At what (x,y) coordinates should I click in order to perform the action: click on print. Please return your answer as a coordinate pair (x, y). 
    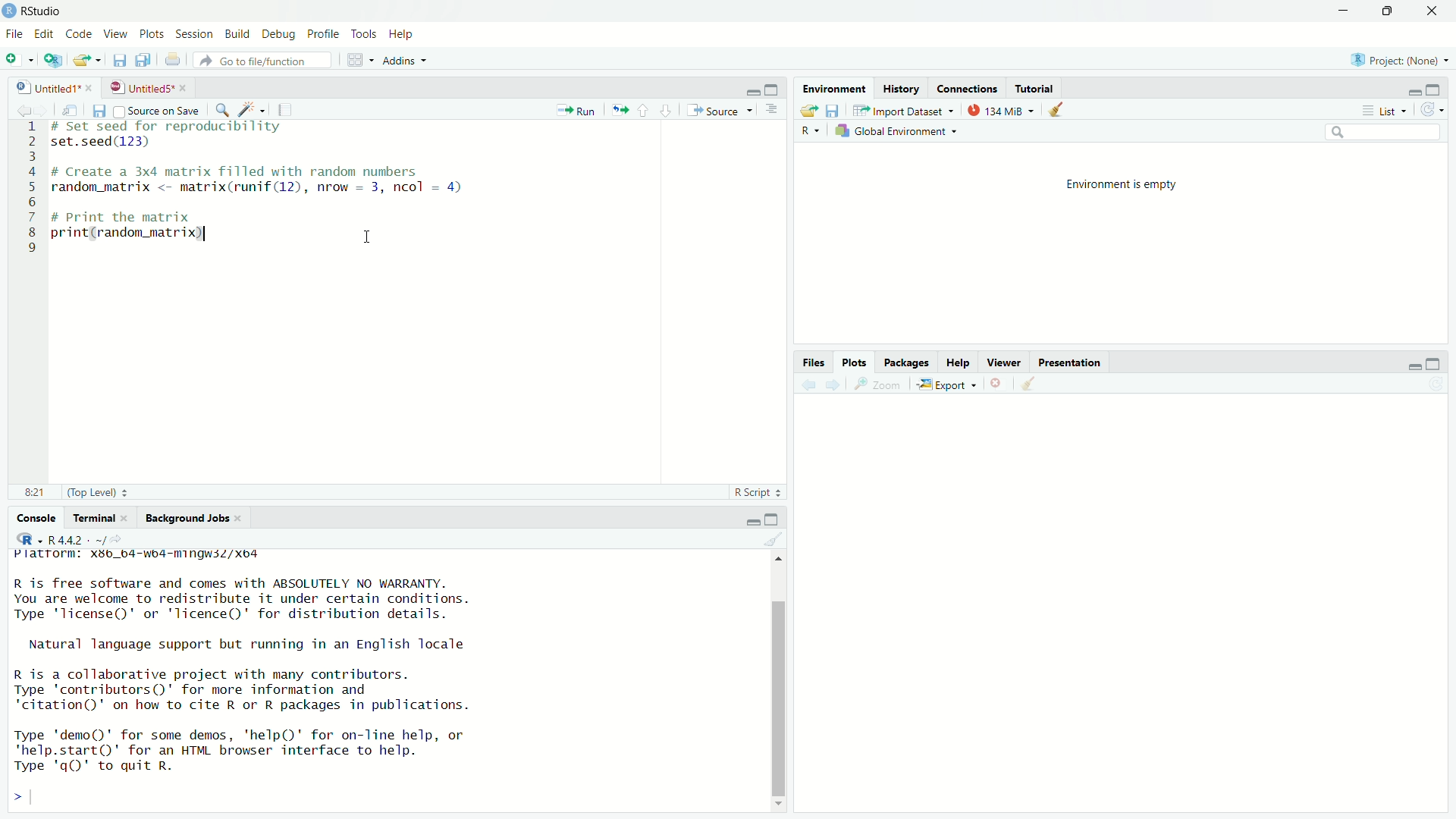
    Looking at the image, I should click on (173, 59).